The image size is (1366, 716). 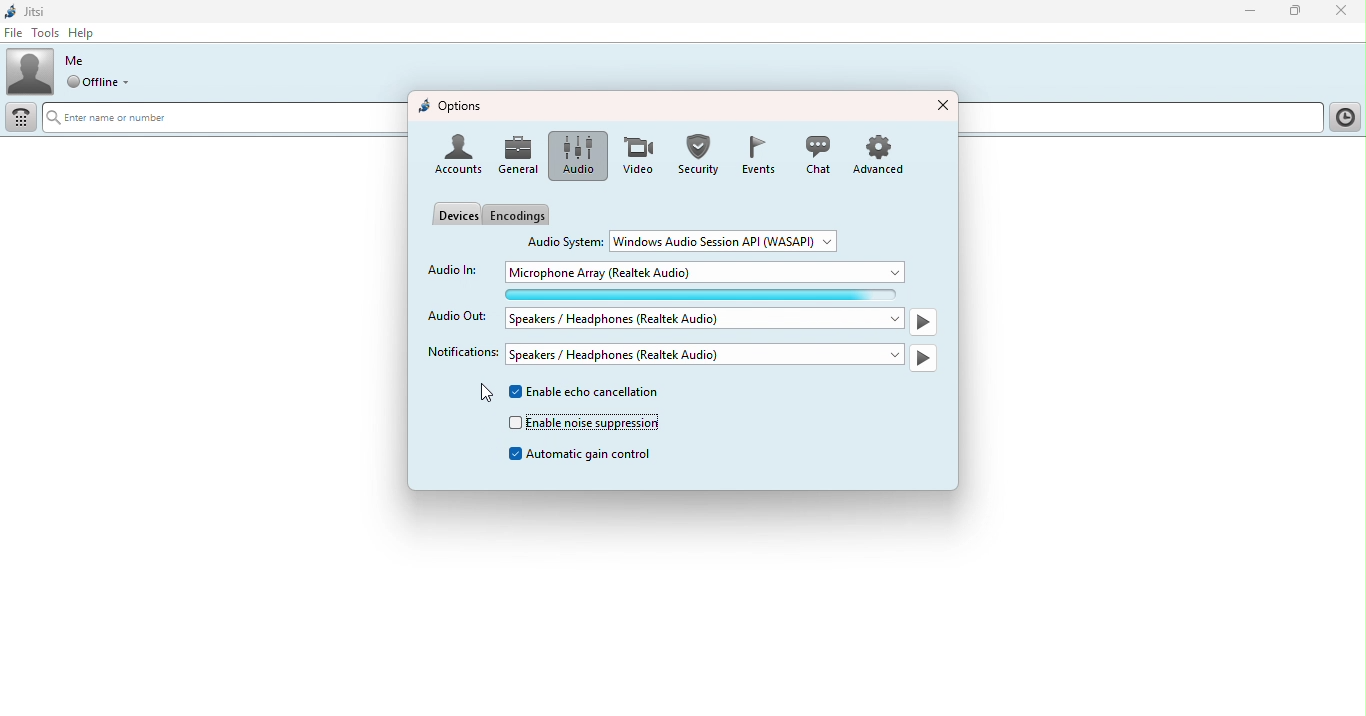 What do you see at coordinates (731, 240) in the screenshot?
I see `Drop down menu` at bounding box center [731, 240].